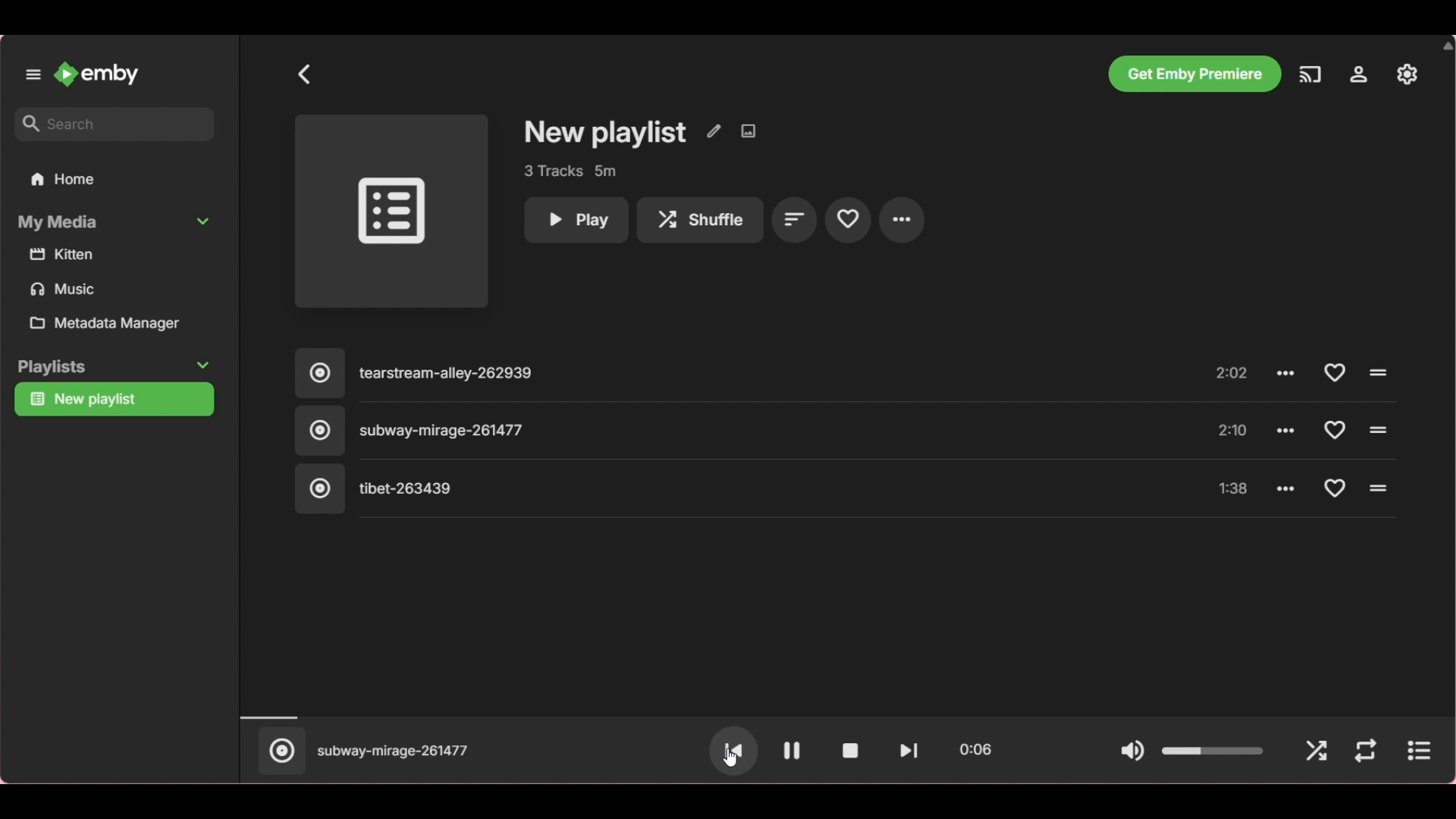 Image resolution: width=1456 pixels, height=819 pixels. What do you see at coordinates (1288, 428) in the screenshot?
I see `Click to see more options for  song` at bounding box center [1288, 428].